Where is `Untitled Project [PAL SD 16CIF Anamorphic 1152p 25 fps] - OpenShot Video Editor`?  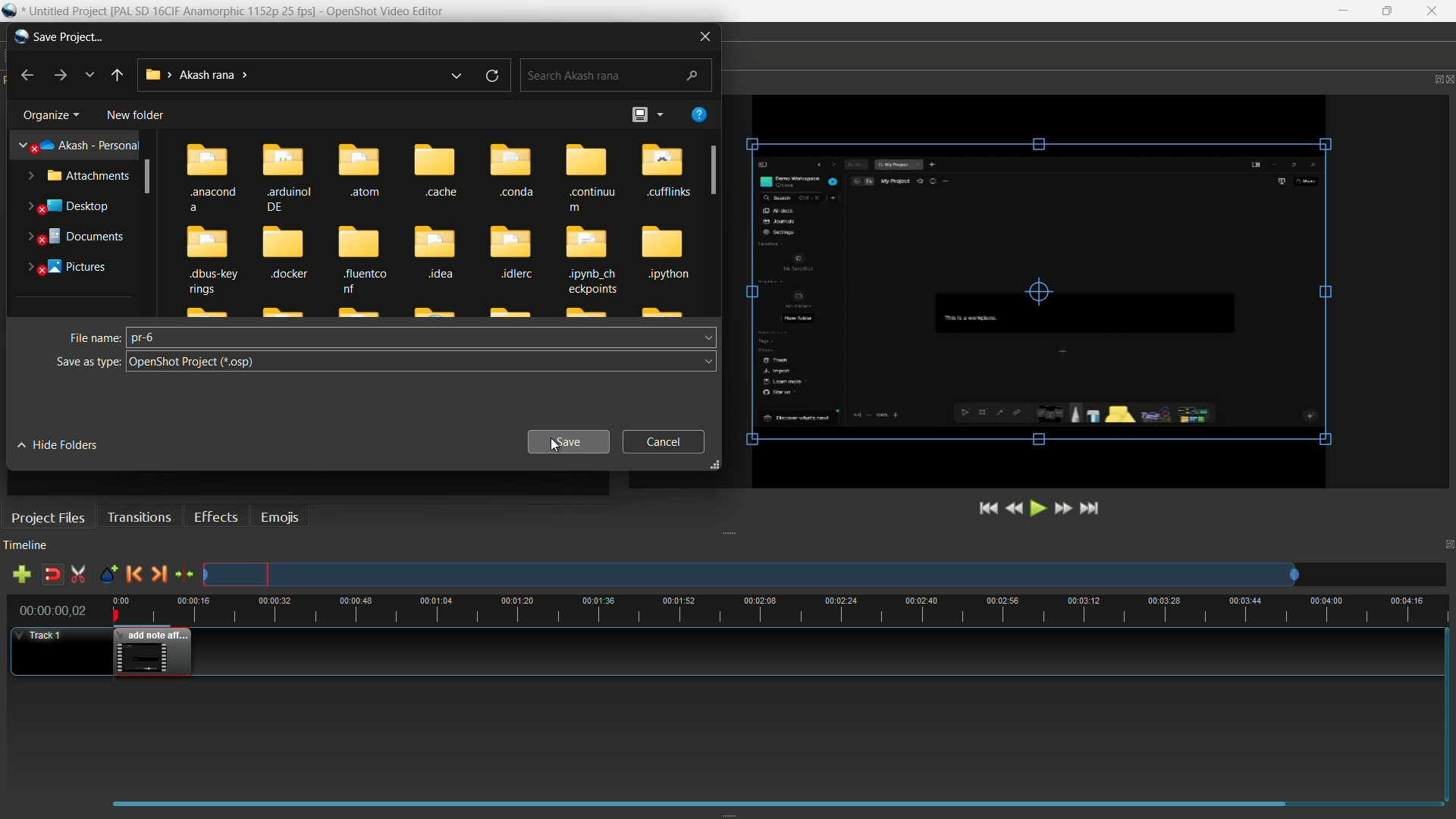 Untitled Project [PAL SD 16CIF Anamorphic 1152p 25 fps] - OpenShot Video Editor is located at coordinates (240, 11).